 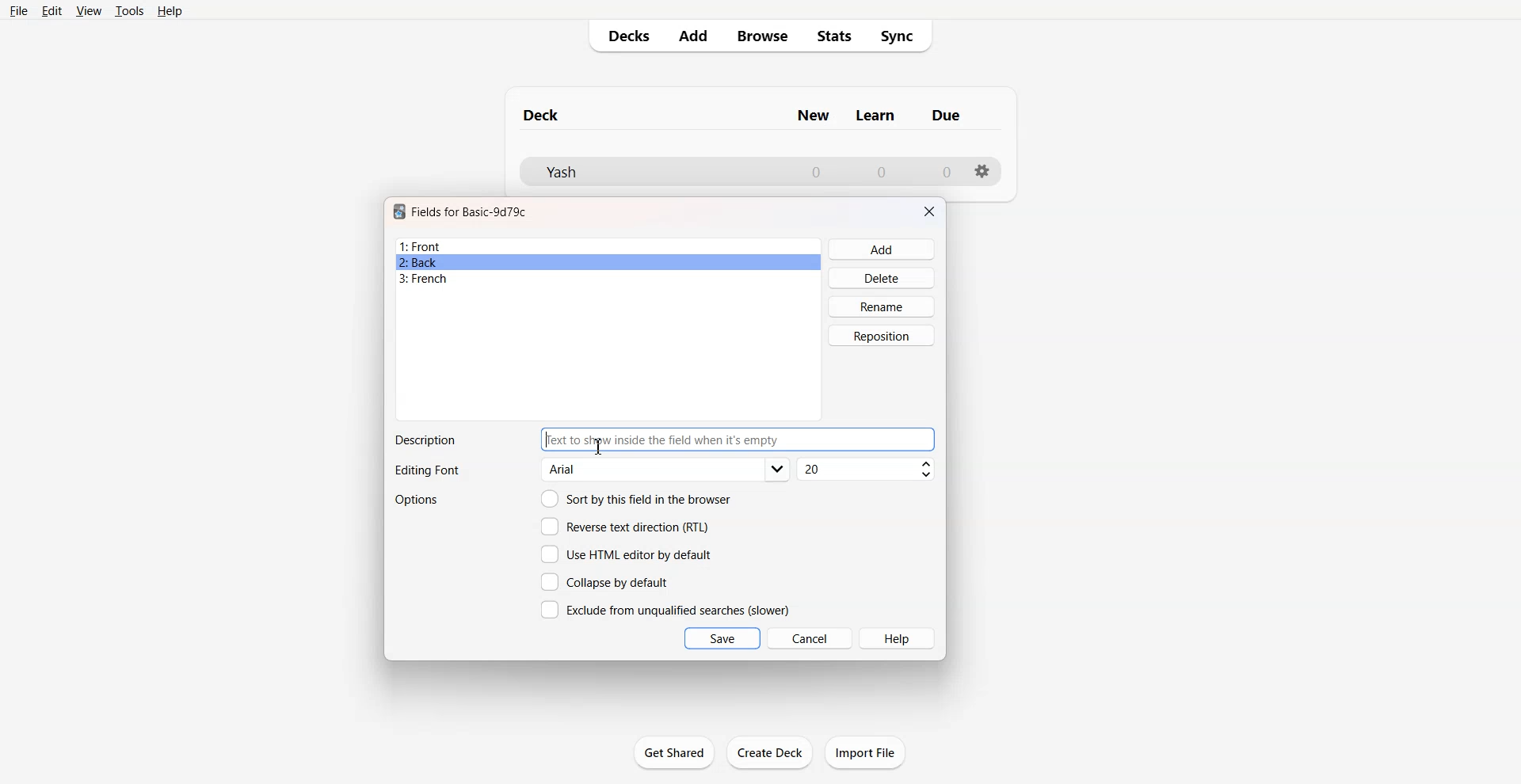 I want to click on Delete, so click(x=882, y=277).